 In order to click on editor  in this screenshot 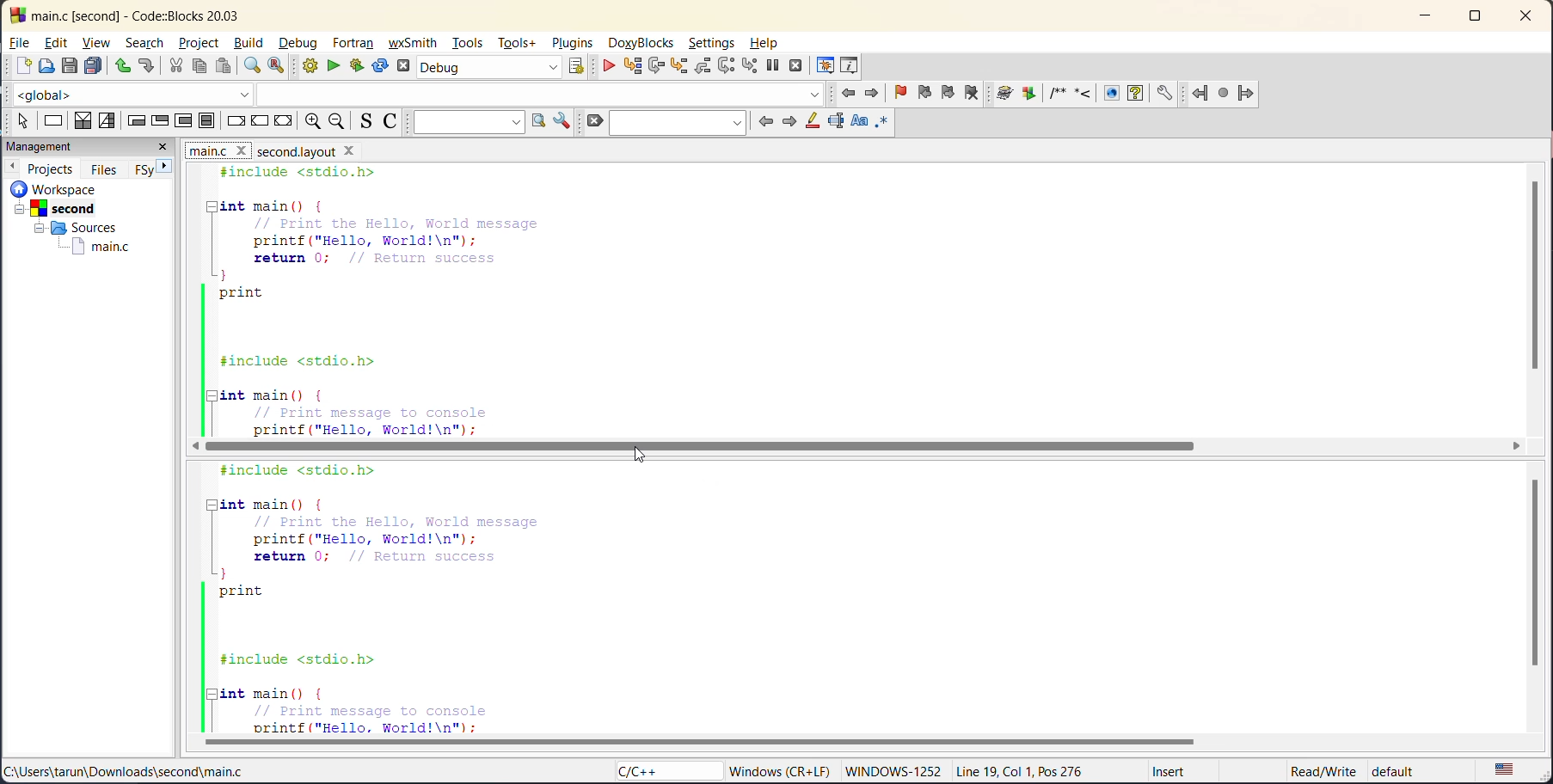, I will do `click(837, 597)`.